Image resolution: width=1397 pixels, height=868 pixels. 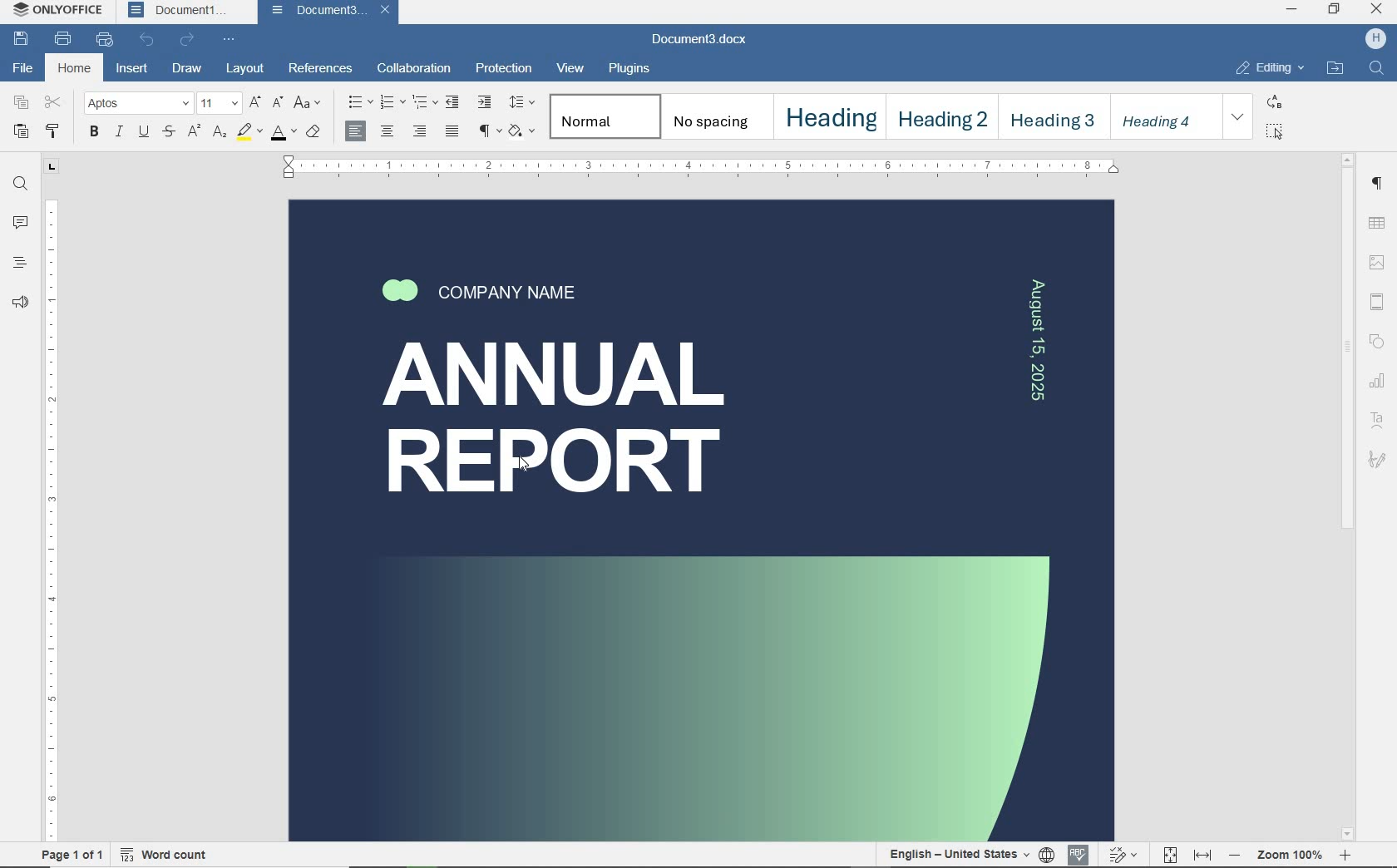 What do you see at coordinates (1291, 855) in the screenshot?
I see `Zoom 100%` at bounding box center [1291, 855].